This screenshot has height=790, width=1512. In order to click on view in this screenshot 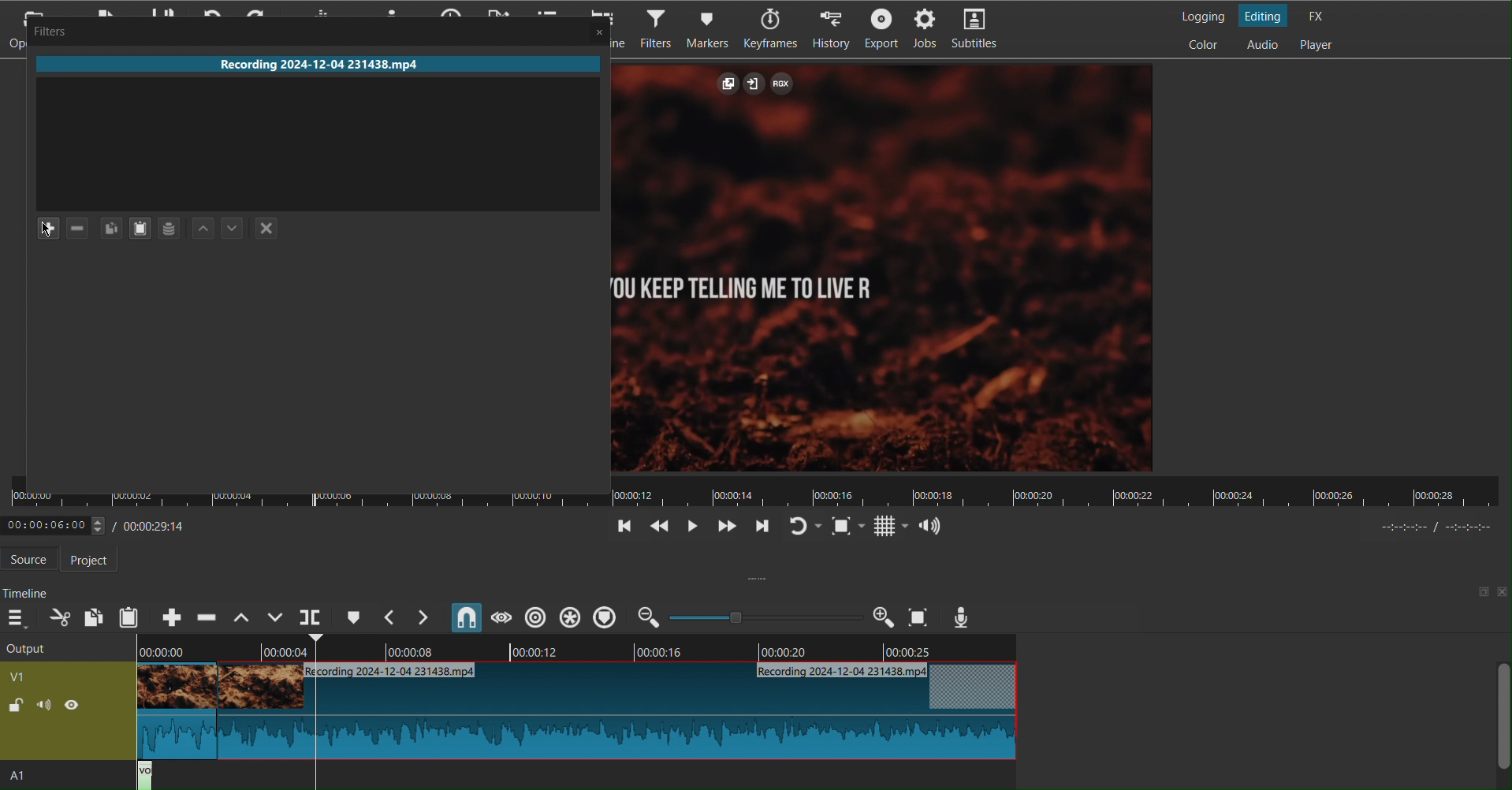, I will do `click(78, 708)`.